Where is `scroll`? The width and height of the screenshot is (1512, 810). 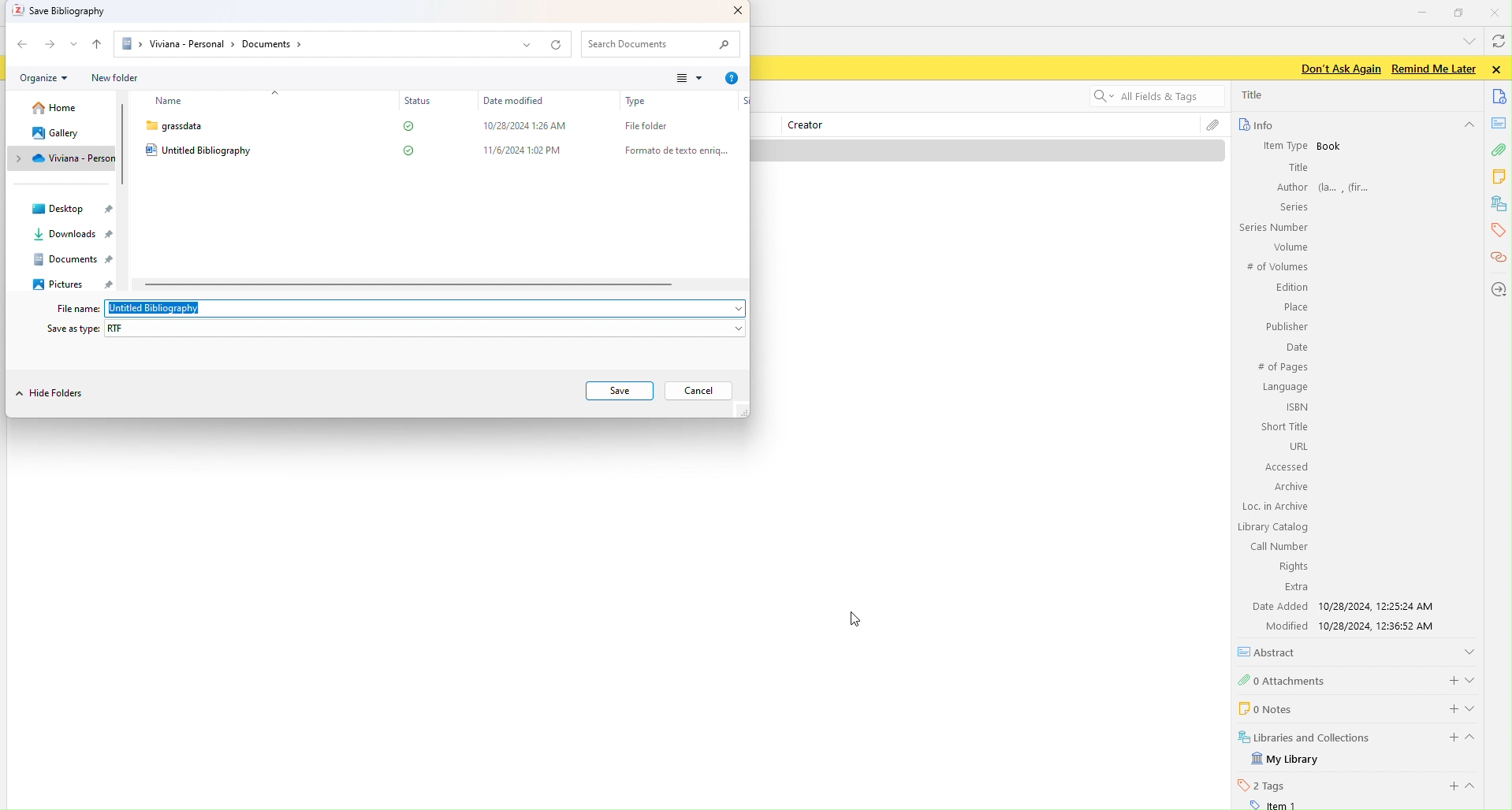 scroll is located at coordinates (126, 145).